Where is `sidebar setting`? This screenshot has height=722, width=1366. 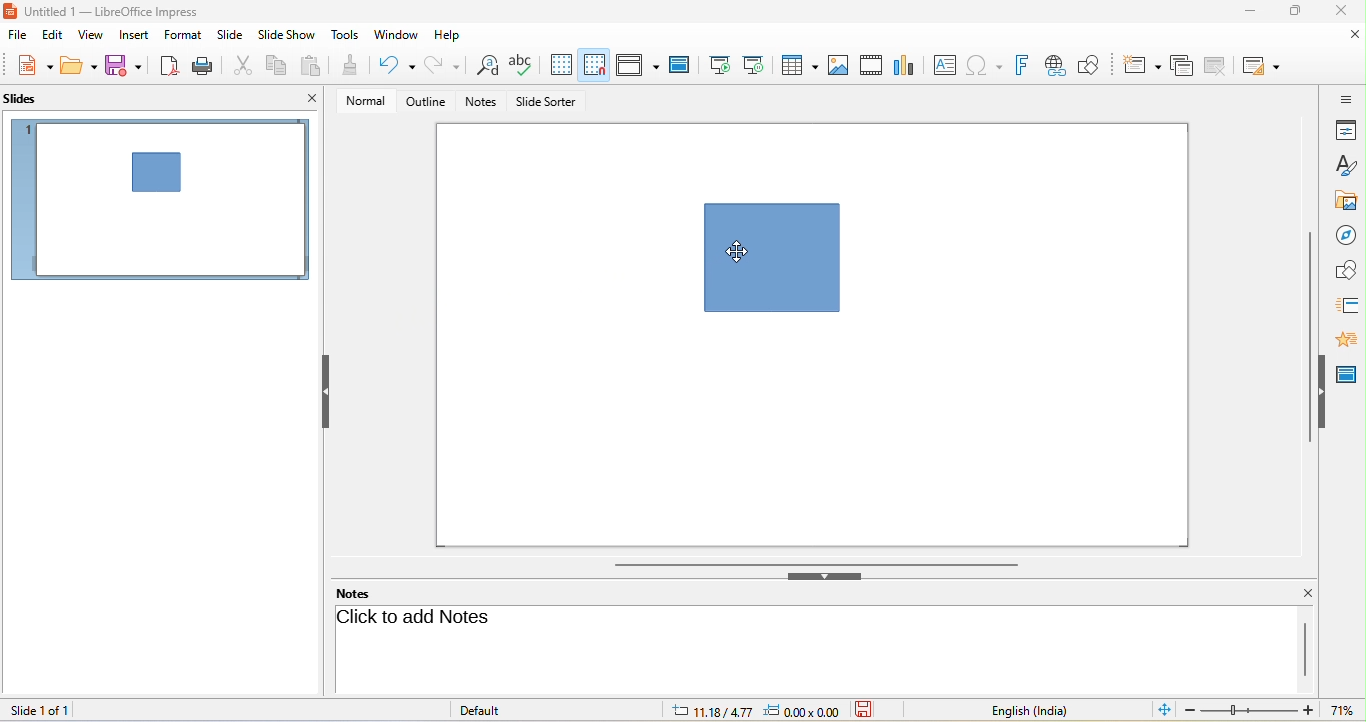
sidebar setting is located at coordinates (1346, 99).